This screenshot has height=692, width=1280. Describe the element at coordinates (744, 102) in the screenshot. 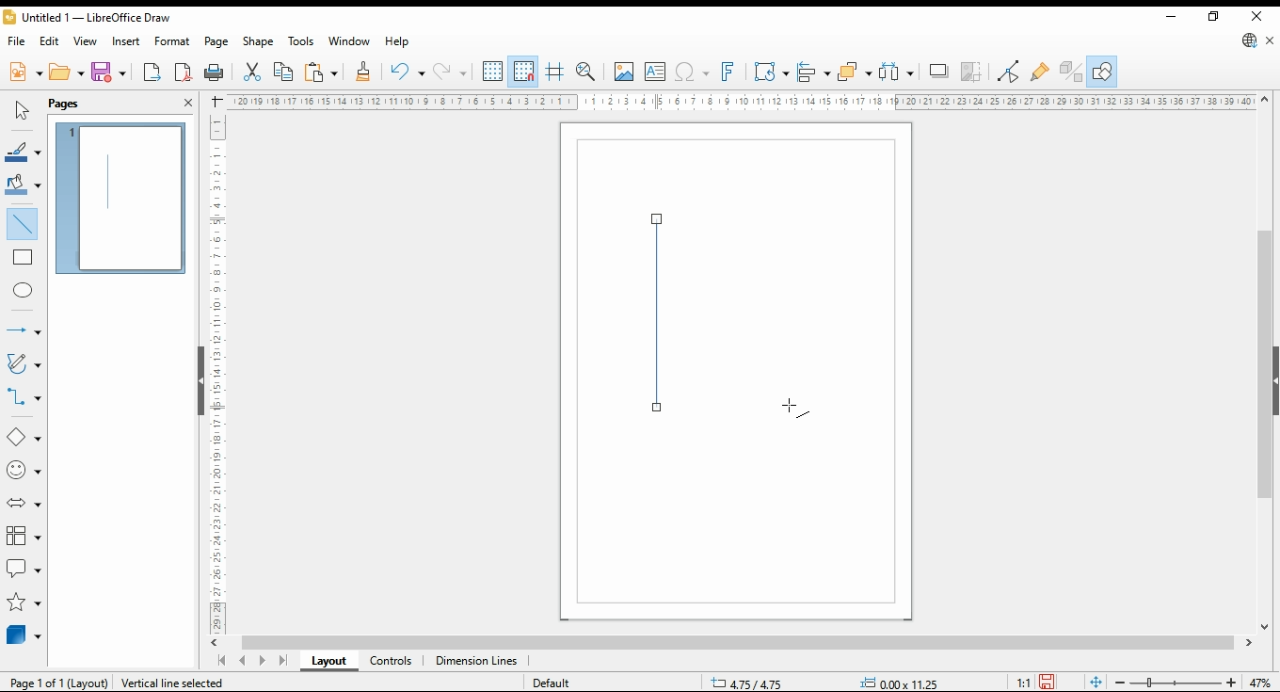

I see `horizontall scale` at that location.